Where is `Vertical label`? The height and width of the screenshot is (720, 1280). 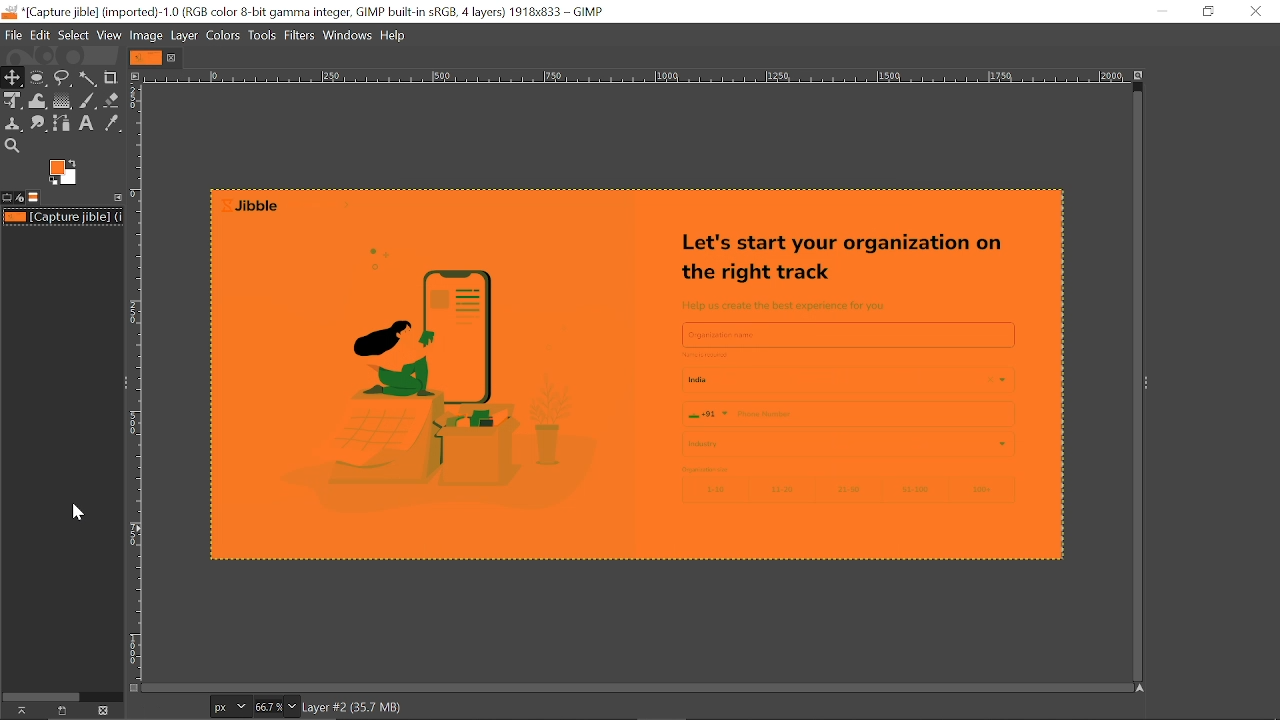
Vertical label is located at coordinates (136, 384).